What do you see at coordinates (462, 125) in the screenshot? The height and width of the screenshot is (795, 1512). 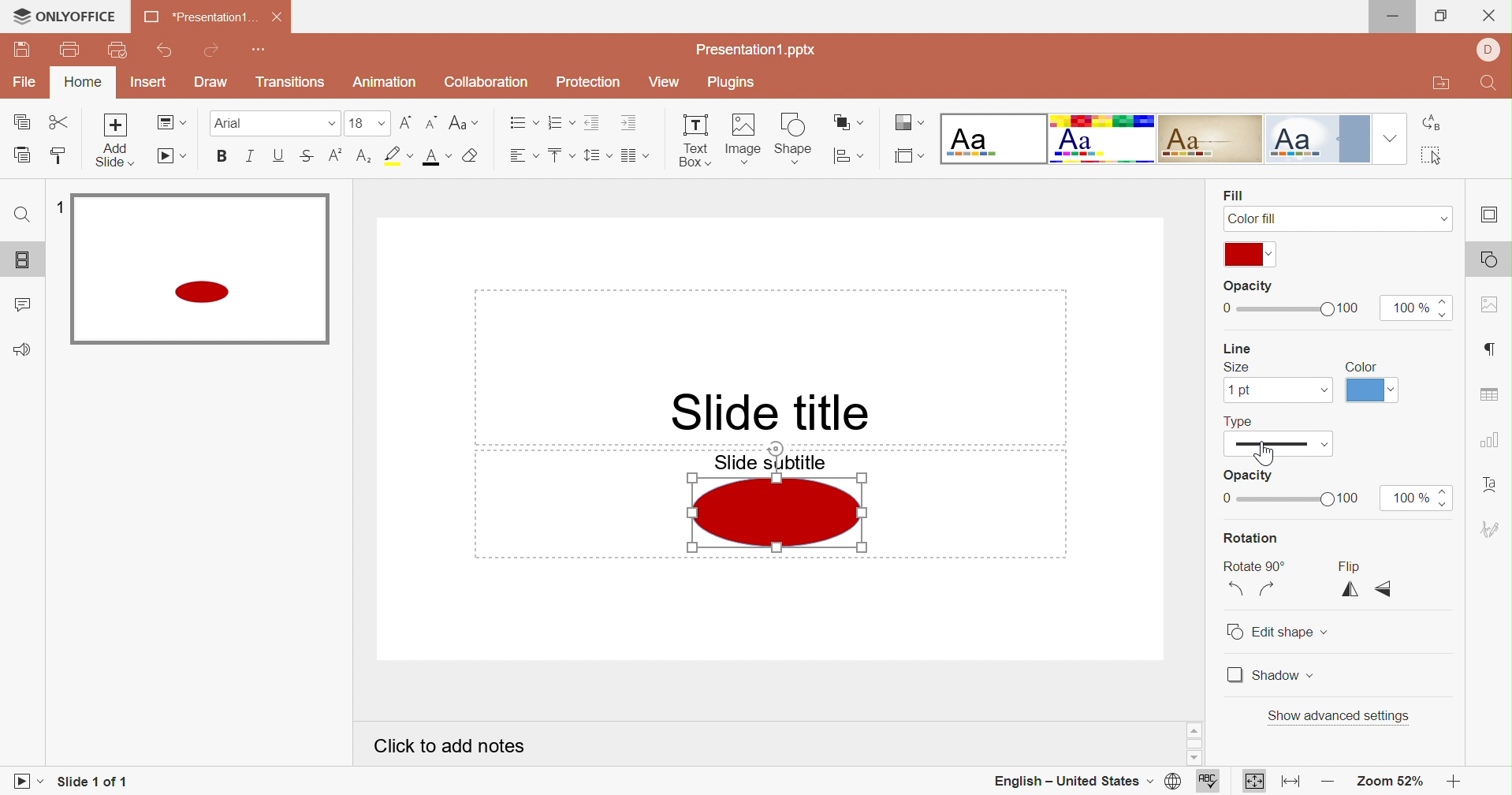 I see `Change case` at bounding box center [462, 125].